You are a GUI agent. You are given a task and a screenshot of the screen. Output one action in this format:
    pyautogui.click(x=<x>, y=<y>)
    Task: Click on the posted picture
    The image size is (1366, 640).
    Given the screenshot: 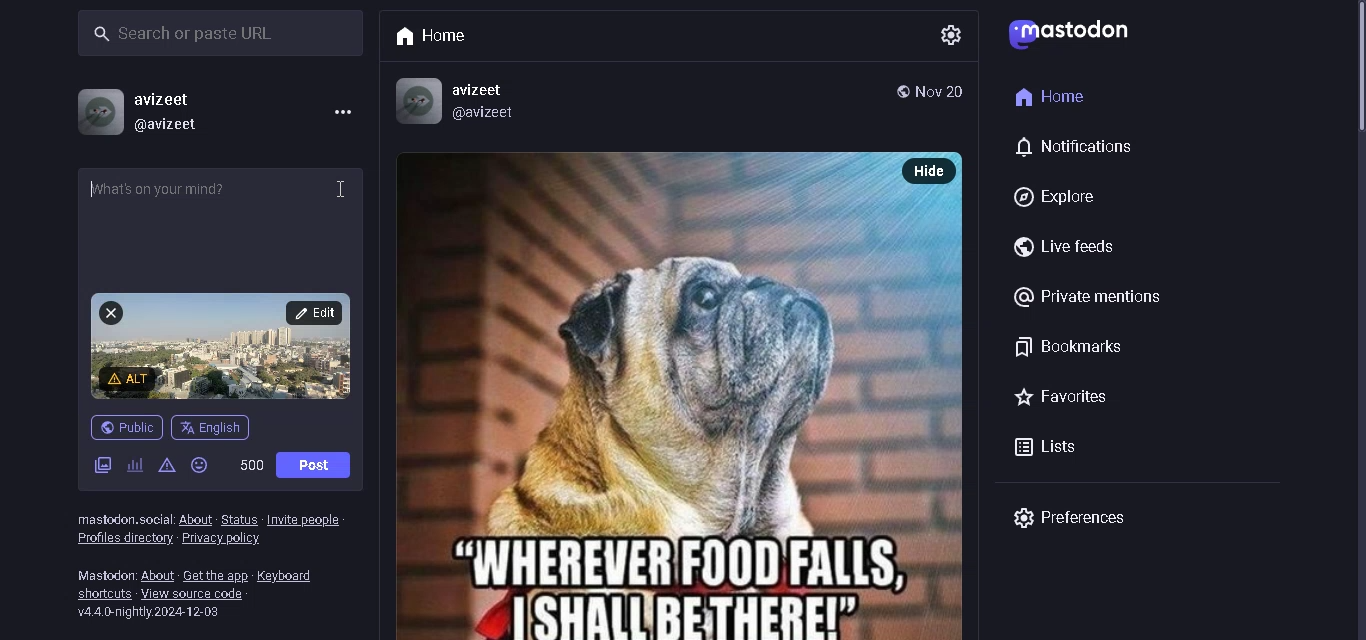 What is the action you would take?
    pyautogui.click(x=645, y=395)
    